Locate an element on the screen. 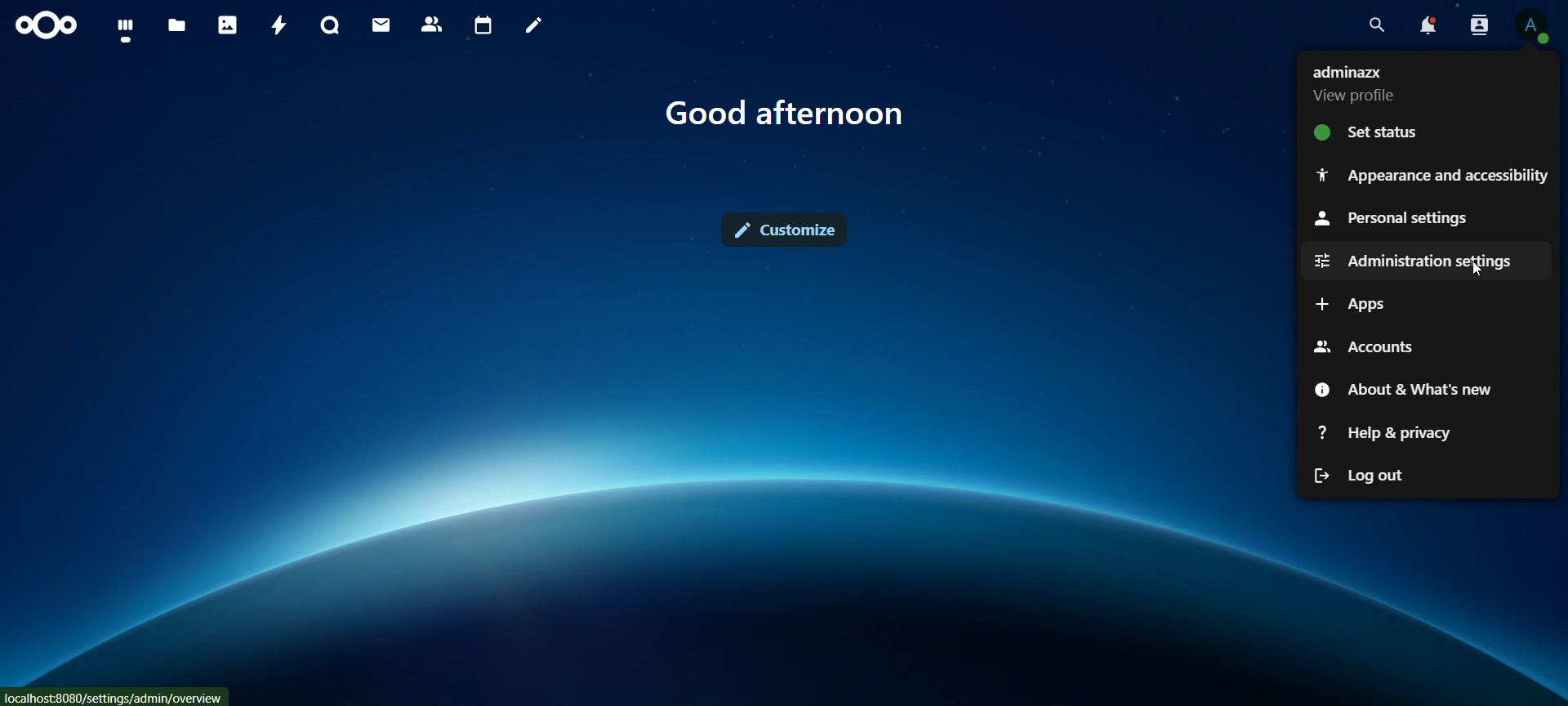 The image size is (1568, 706). calendar is located at coordinates (483, 27).